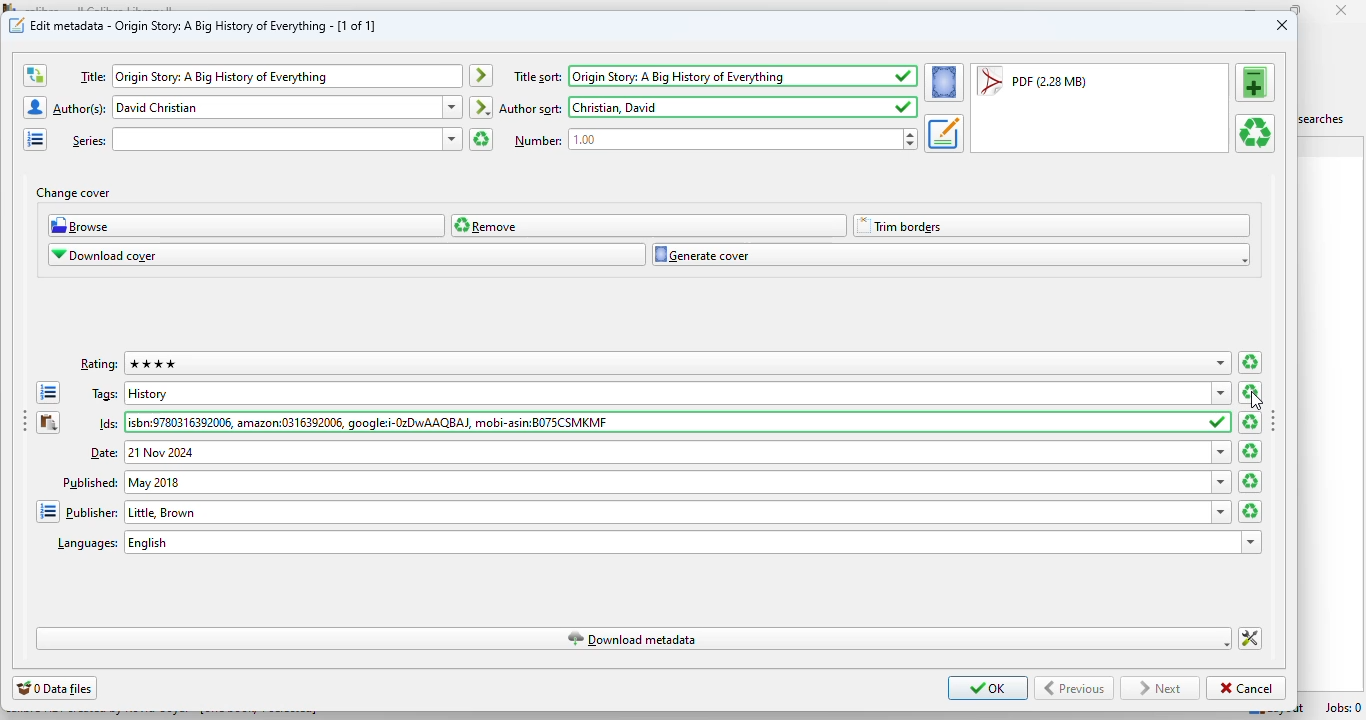  I want to click on dropdown, so click(453, 107).